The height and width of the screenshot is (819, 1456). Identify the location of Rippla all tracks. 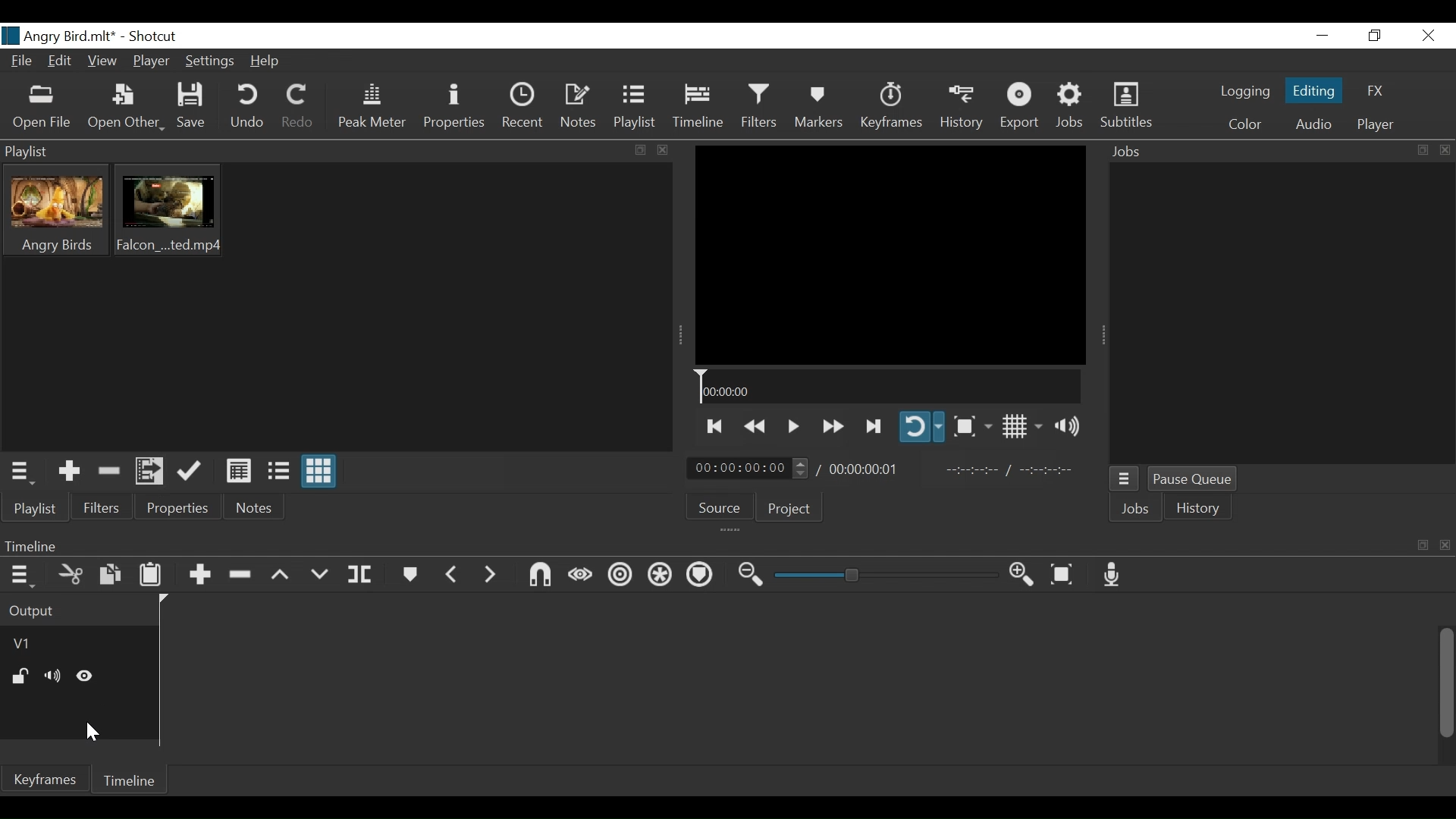
(661, 576).